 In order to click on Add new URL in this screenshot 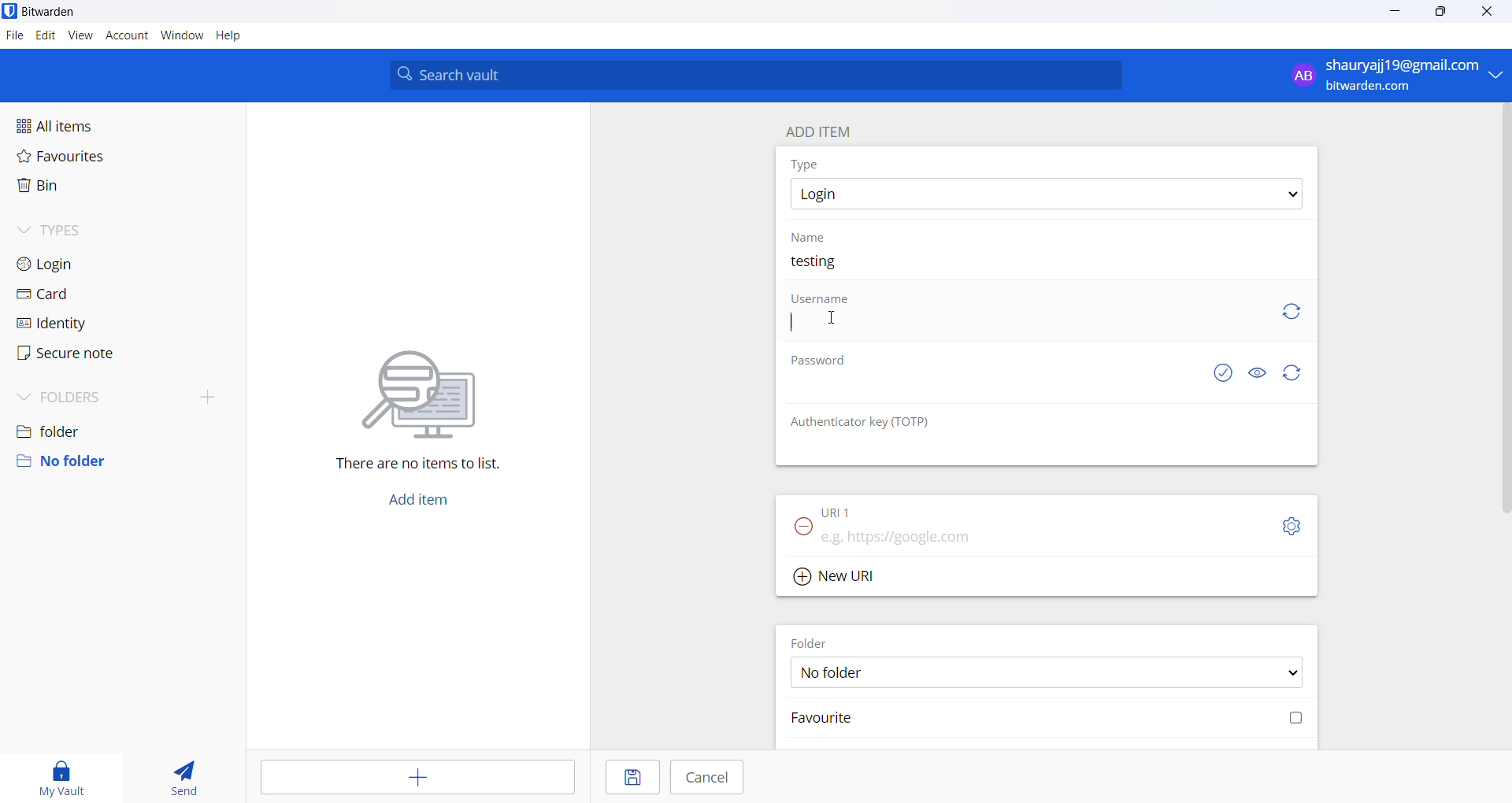, I will do `click(839, 576)`.